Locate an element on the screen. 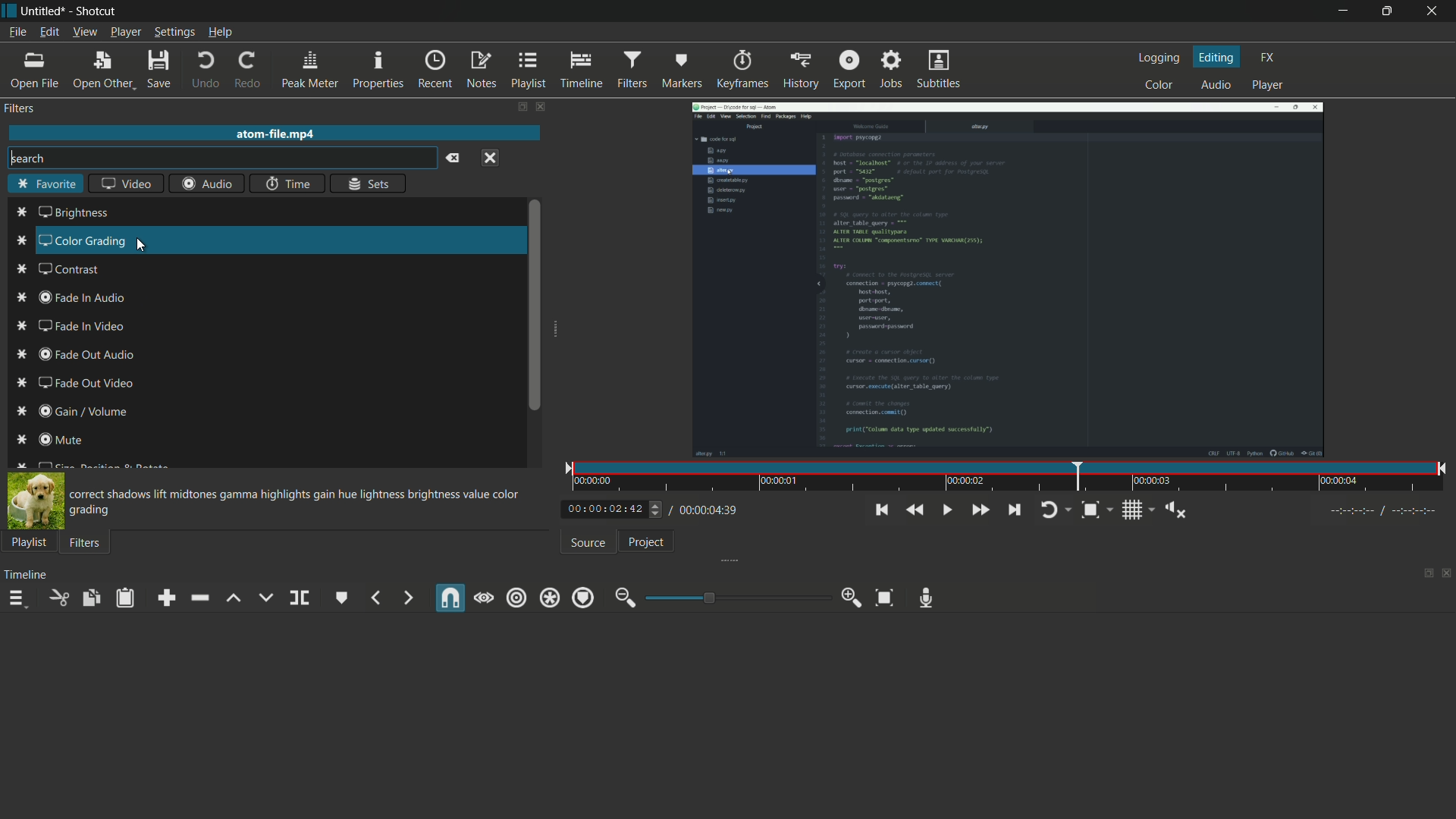 The width and height of the screenshot is (1456, 819). split at playhead is located at coordinates (300, 598).